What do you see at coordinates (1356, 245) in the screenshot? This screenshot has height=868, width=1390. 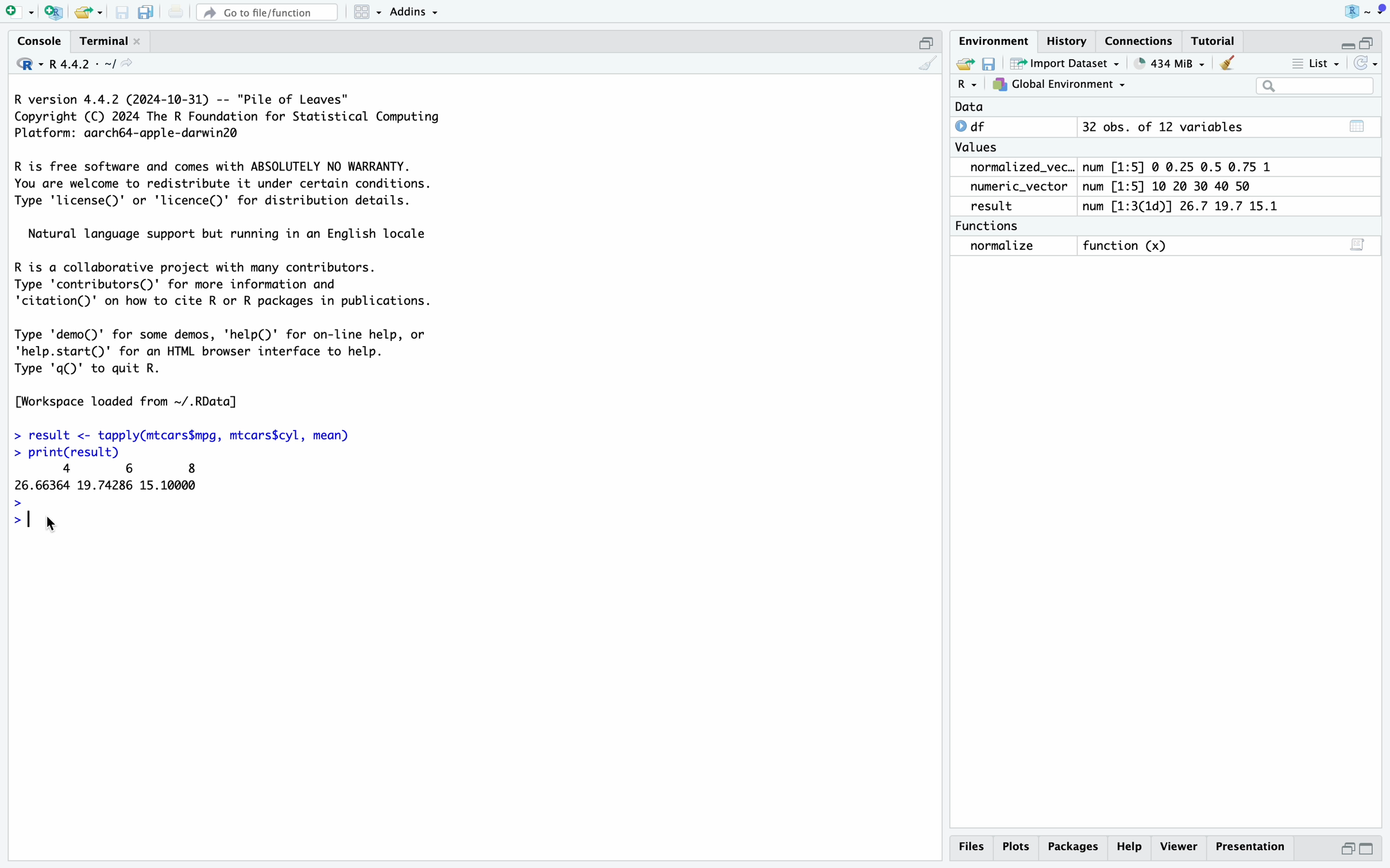 I see `Show on script` at bounding box center [1356, 245].